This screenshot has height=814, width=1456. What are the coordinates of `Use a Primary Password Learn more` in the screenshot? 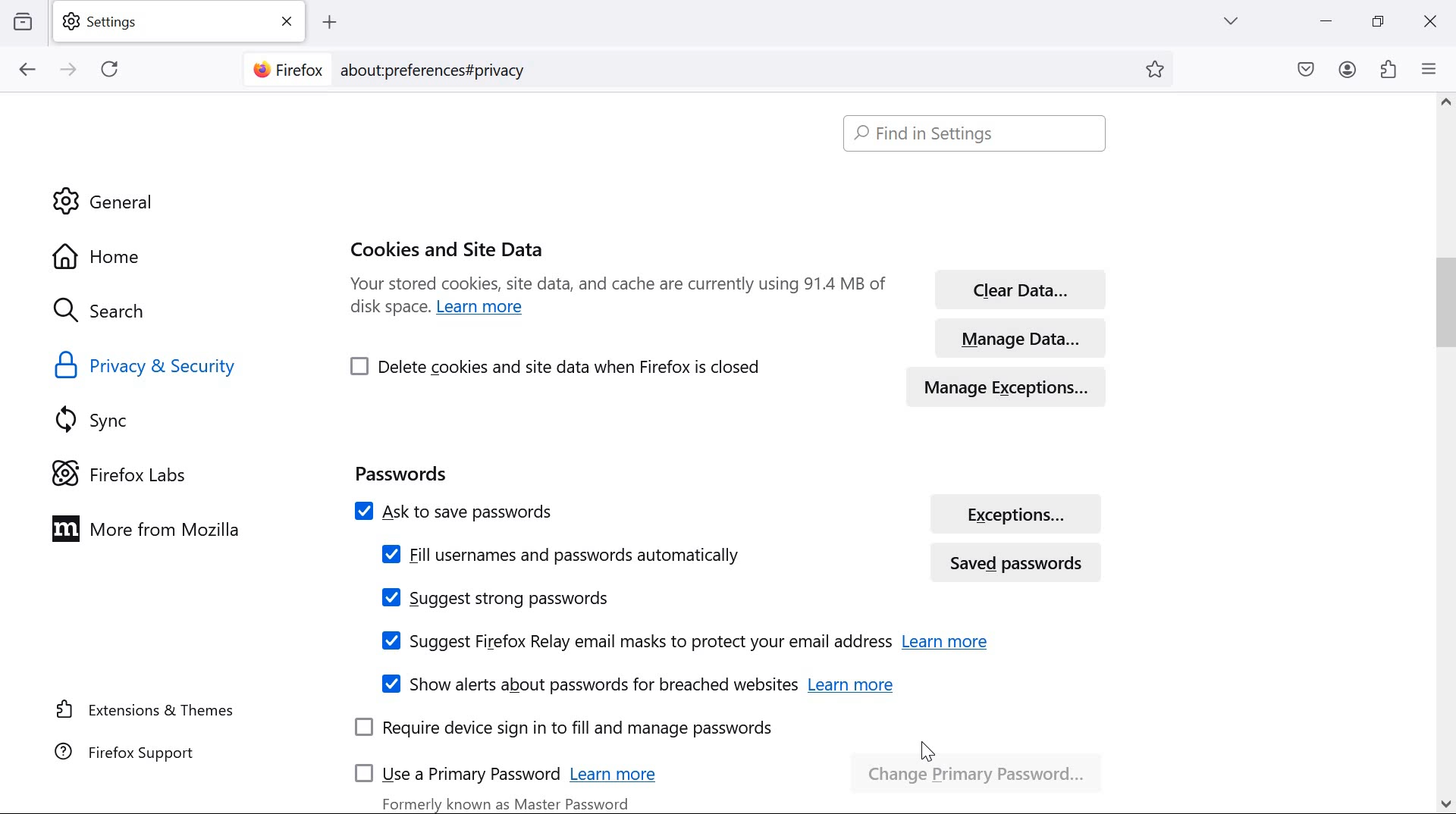 It's located at (513, 771).